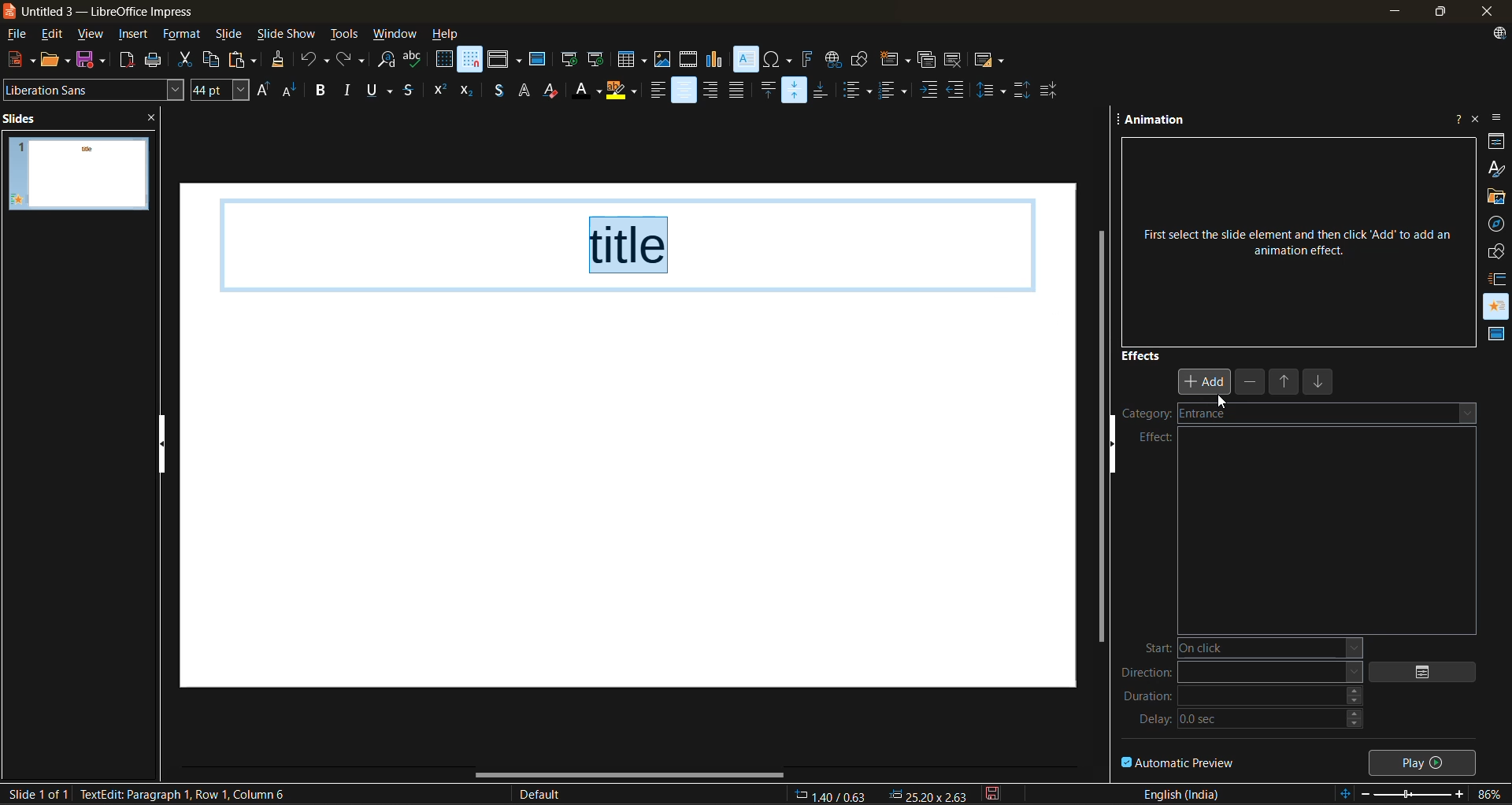 The image size is (1512, 805). What do you see at coordinates (1425, 761) in the screenshot?
I see `play` at bounding box center [1425, 761].